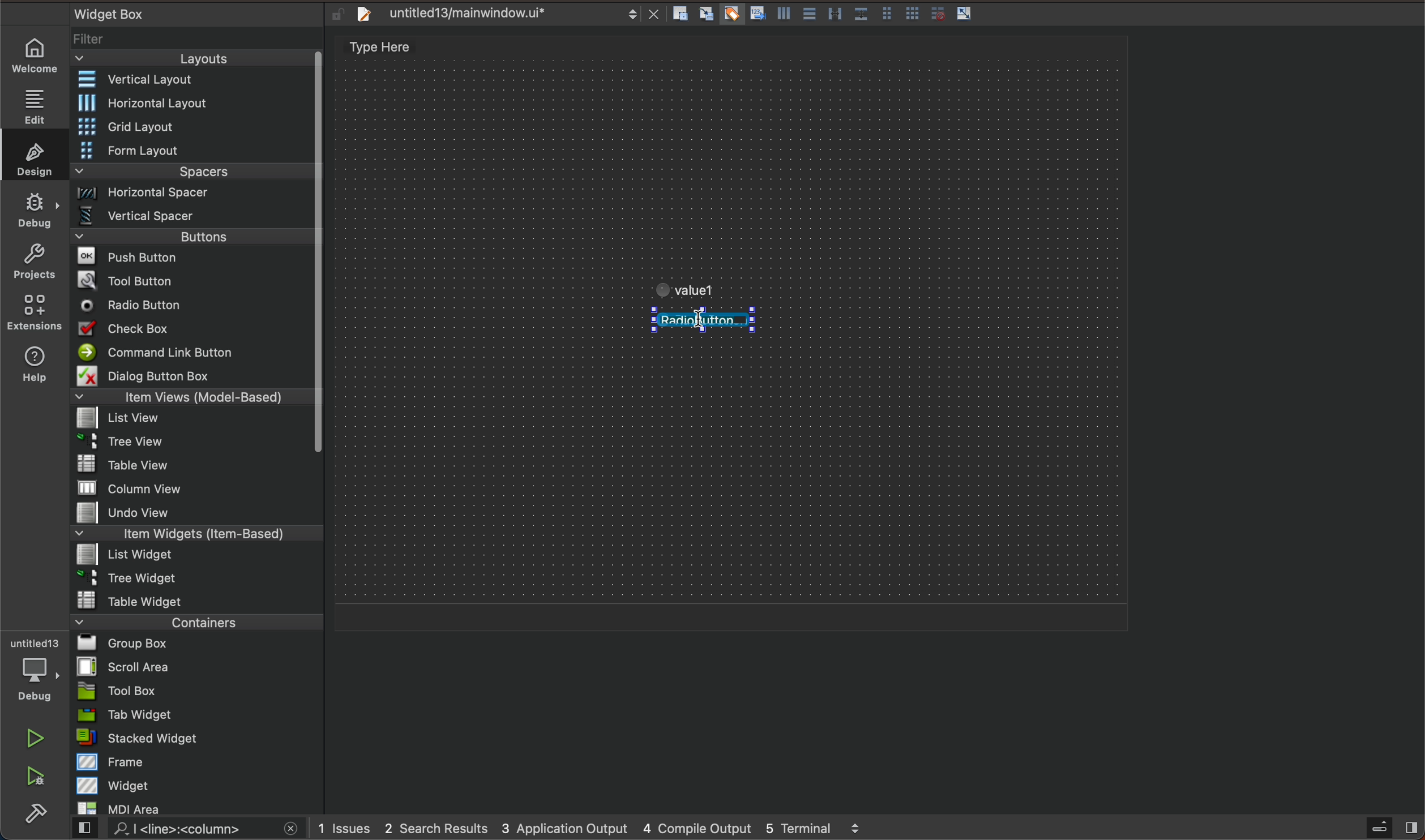 The width and height of the screenshot is (1425, 840). I want to click on tool button, so click(194, 280).